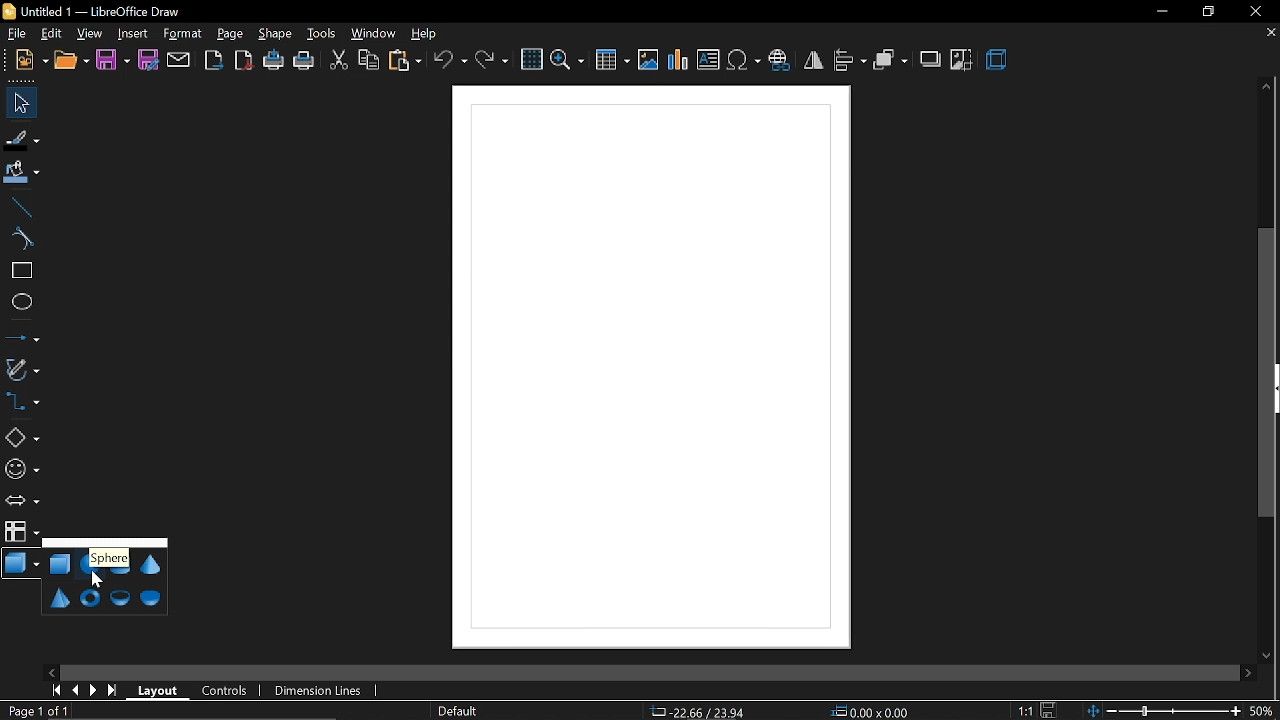 The width and height of the screenshot is (1280, 720). Describe the element at coordinates (325, 692) in the screenshot. I see `dimension lines` at that location.